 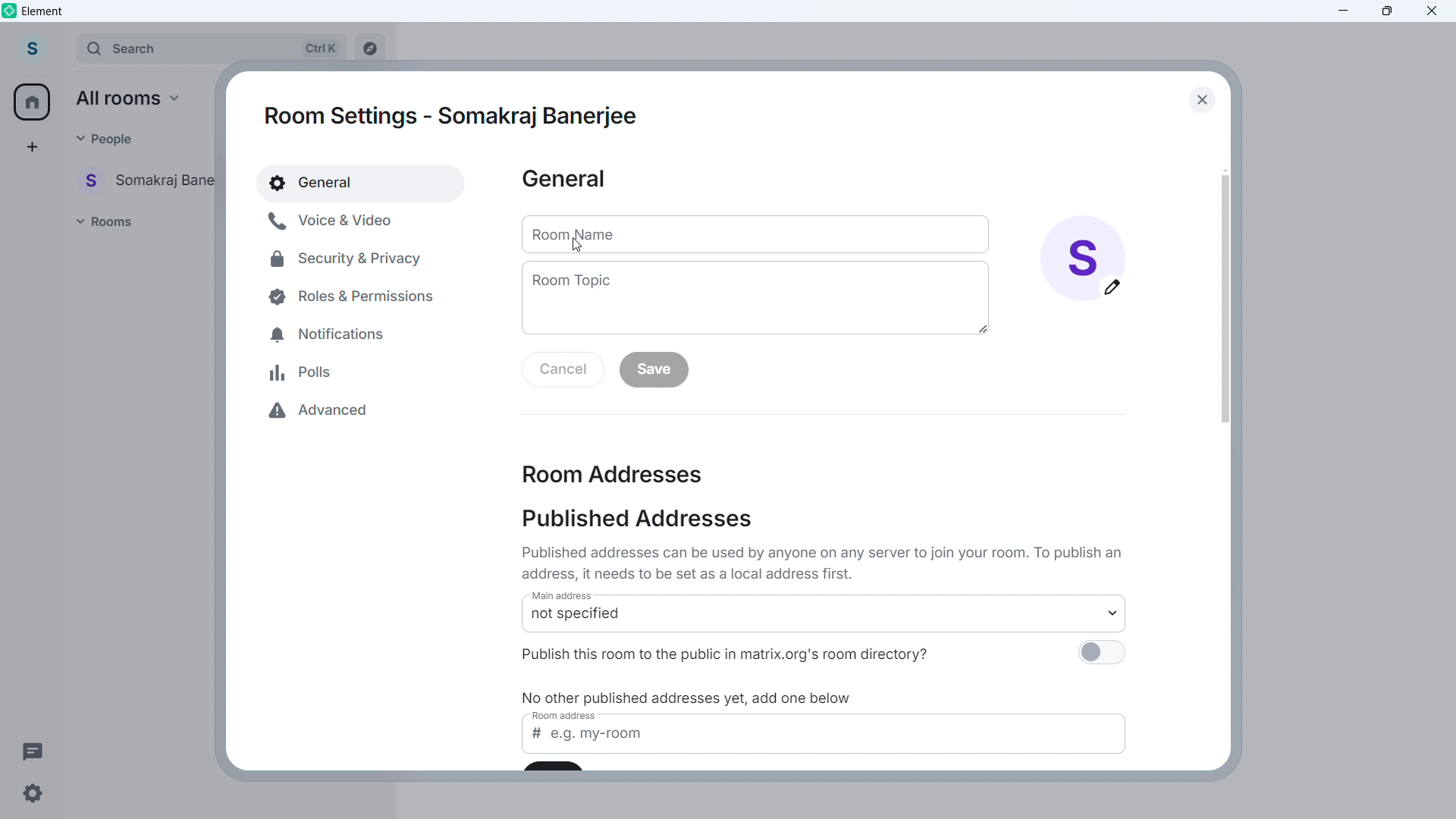 What do you see at coordinates (35, 47) in the screenshot?
I see `account ` at bounding box center [35, 47].